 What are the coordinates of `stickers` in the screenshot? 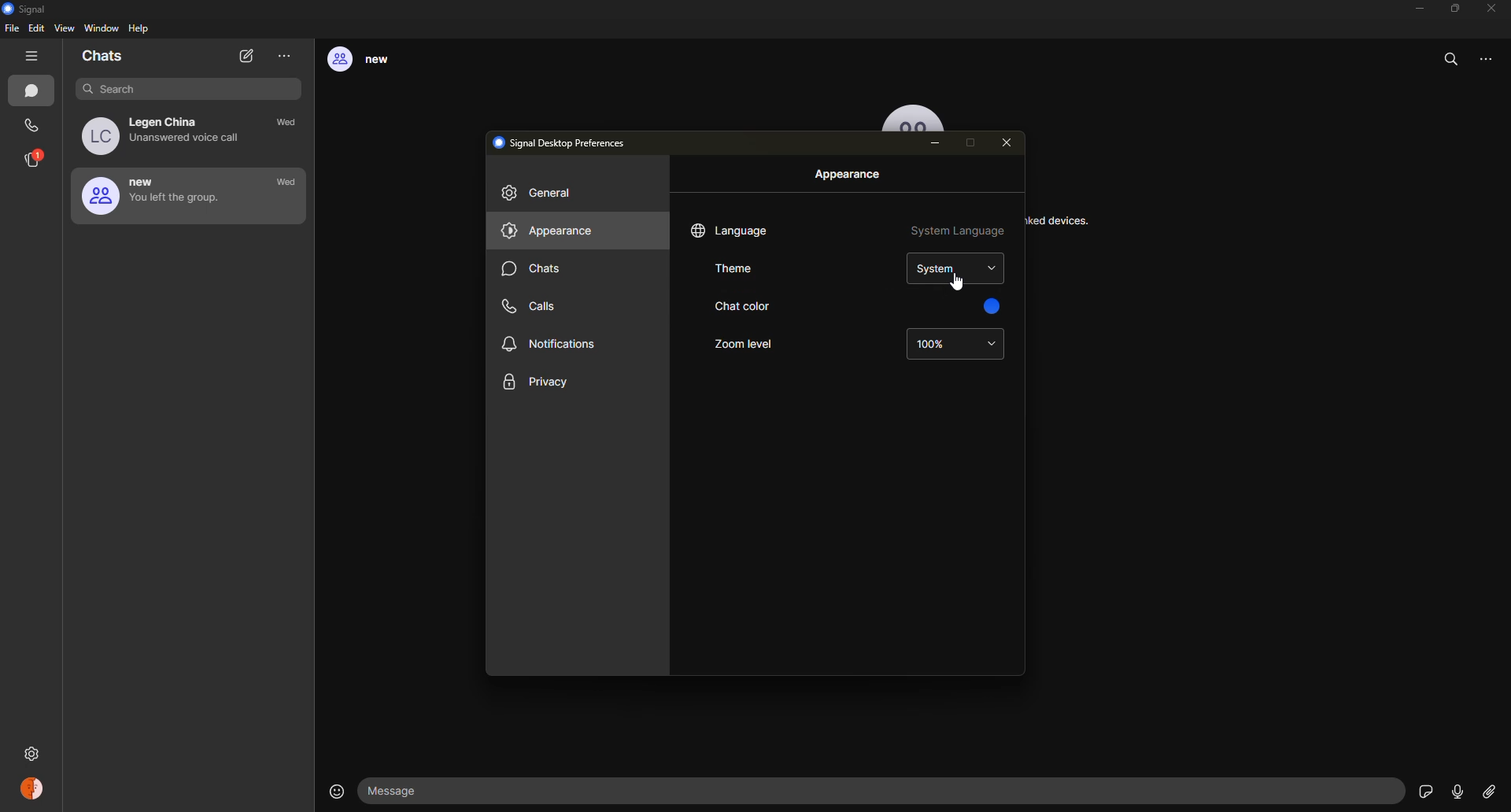 It's located at (1424, 790).